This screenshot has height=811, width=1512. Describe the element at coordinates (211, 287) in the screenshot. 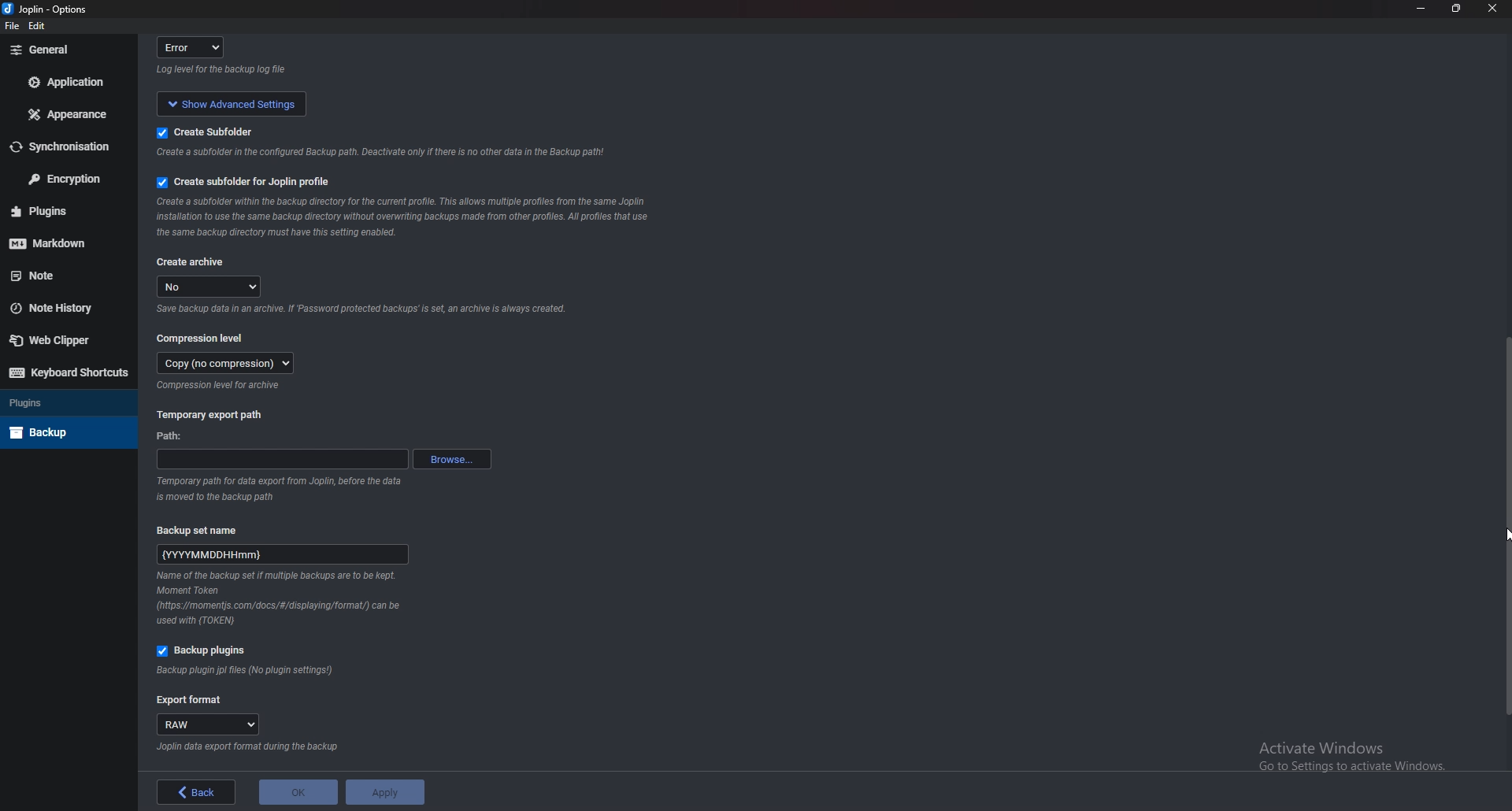

I see `no` at that location.